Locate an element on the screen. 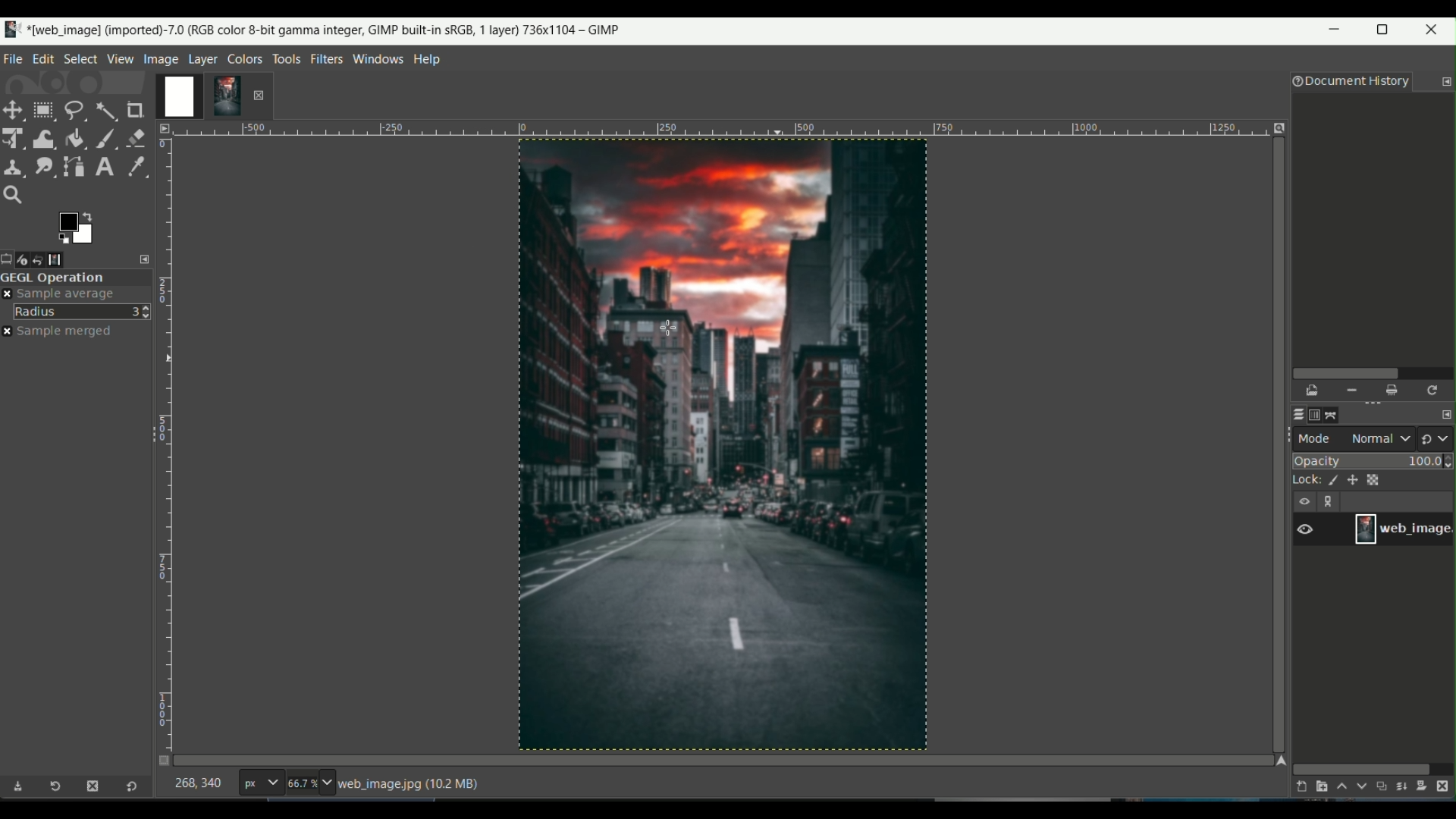 This screenshot has height=819, width=1456. layers tab is located at coordinates (205, 58).